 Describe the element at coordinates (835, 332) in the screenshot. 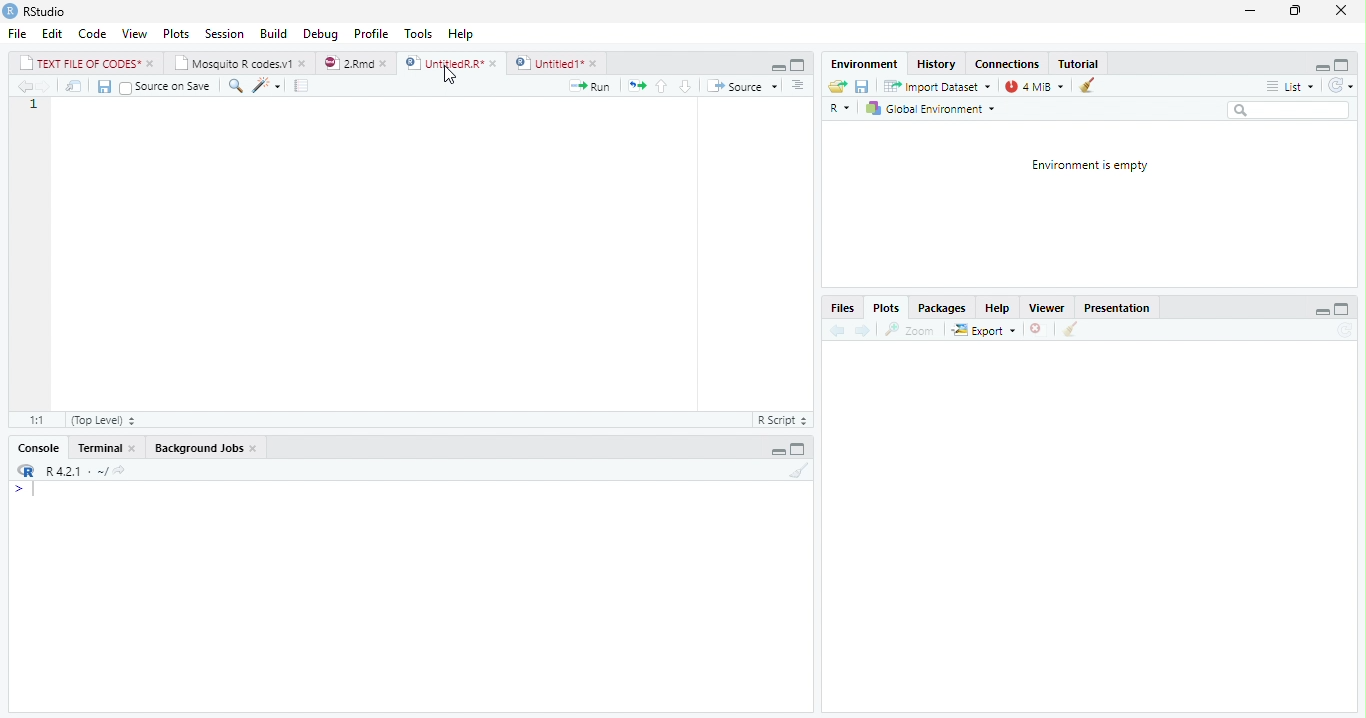

I see `go back` at that location.